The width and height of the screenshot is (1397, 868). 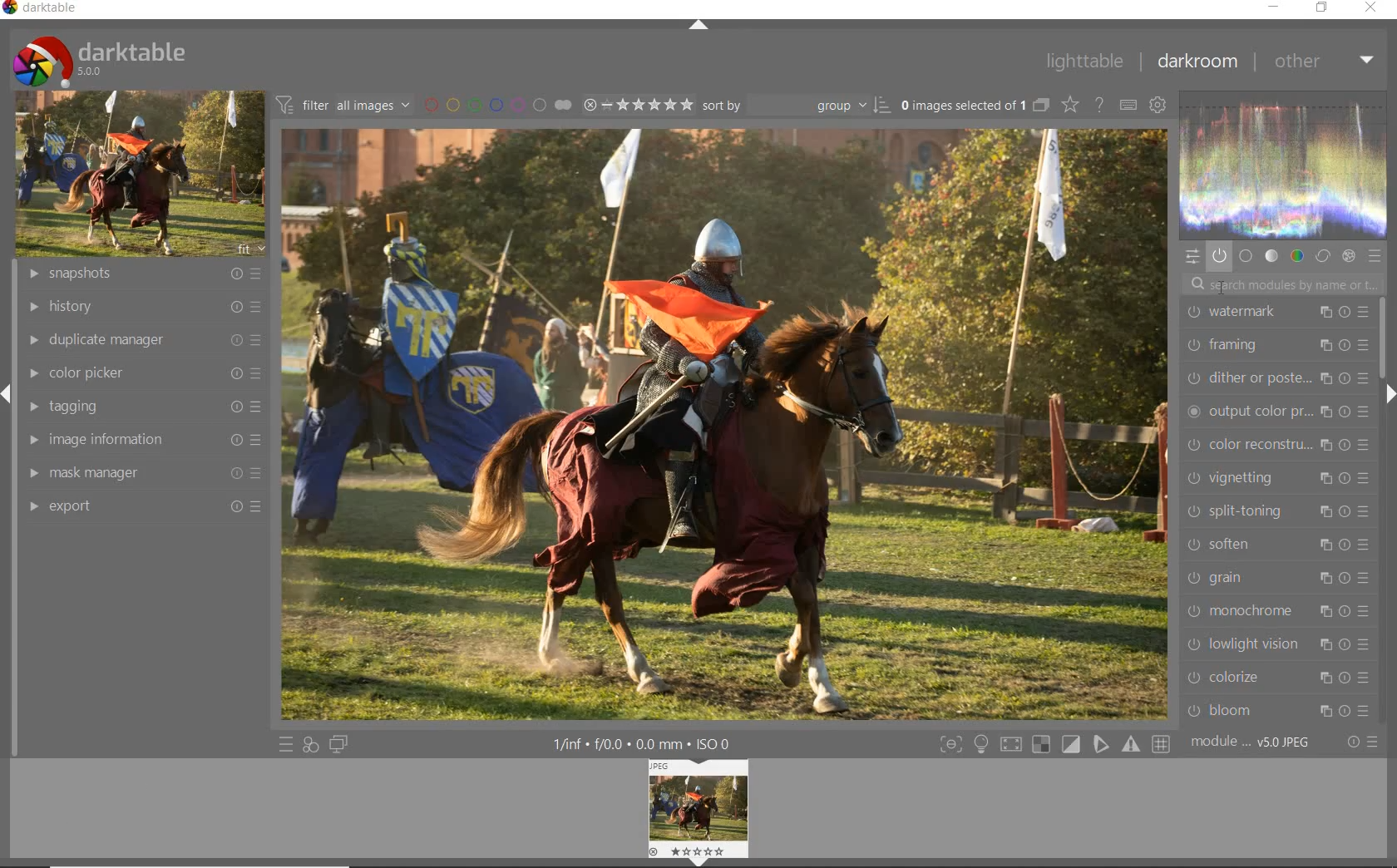 What do you see at coordinates (1281, 611) in the screenshot?
I see `monochrome` at bounding box center [1281, 611].